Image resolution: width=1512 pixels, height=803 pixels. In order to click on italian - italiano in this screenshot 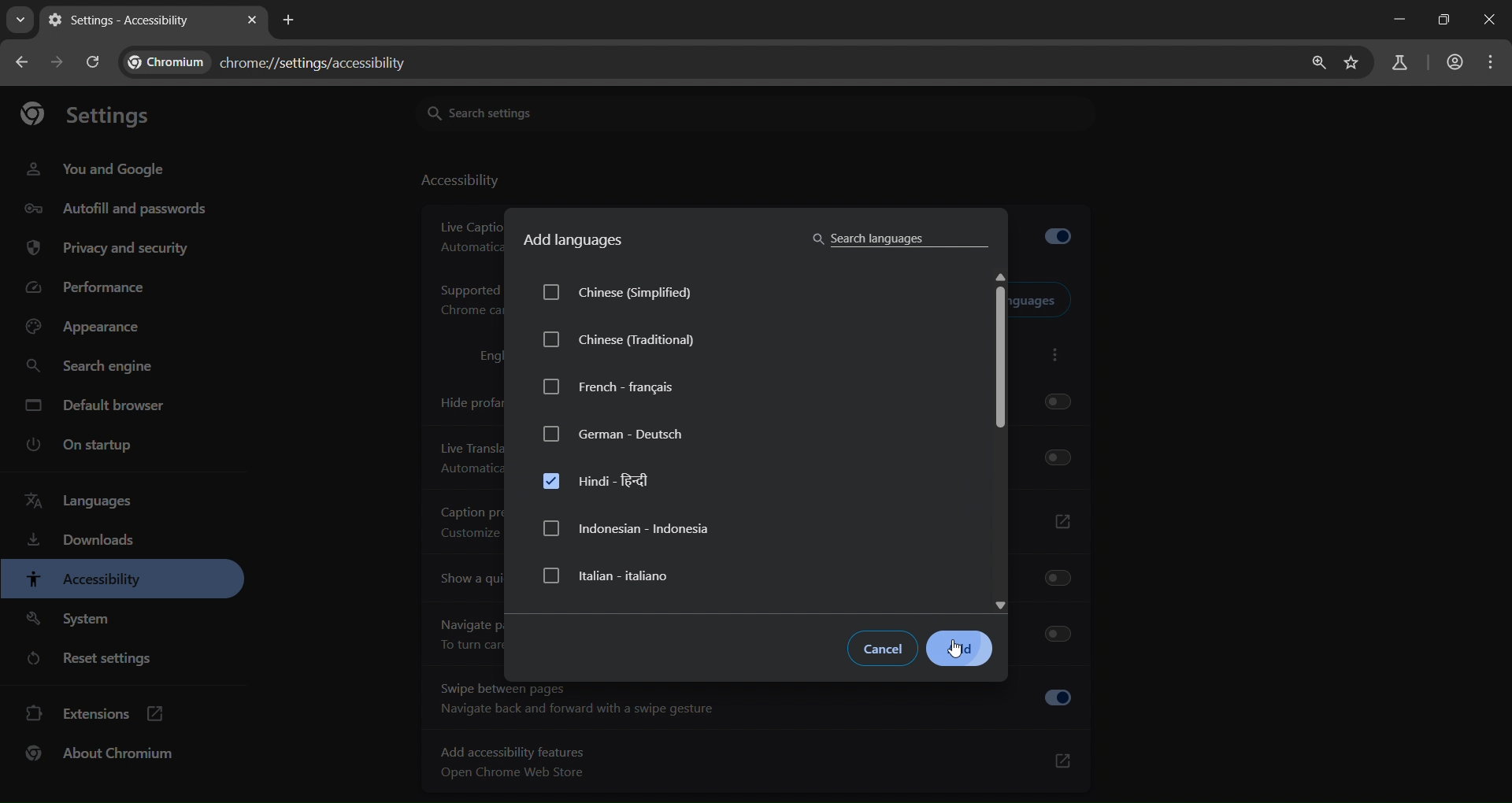, I will do `click(610, 575)`.